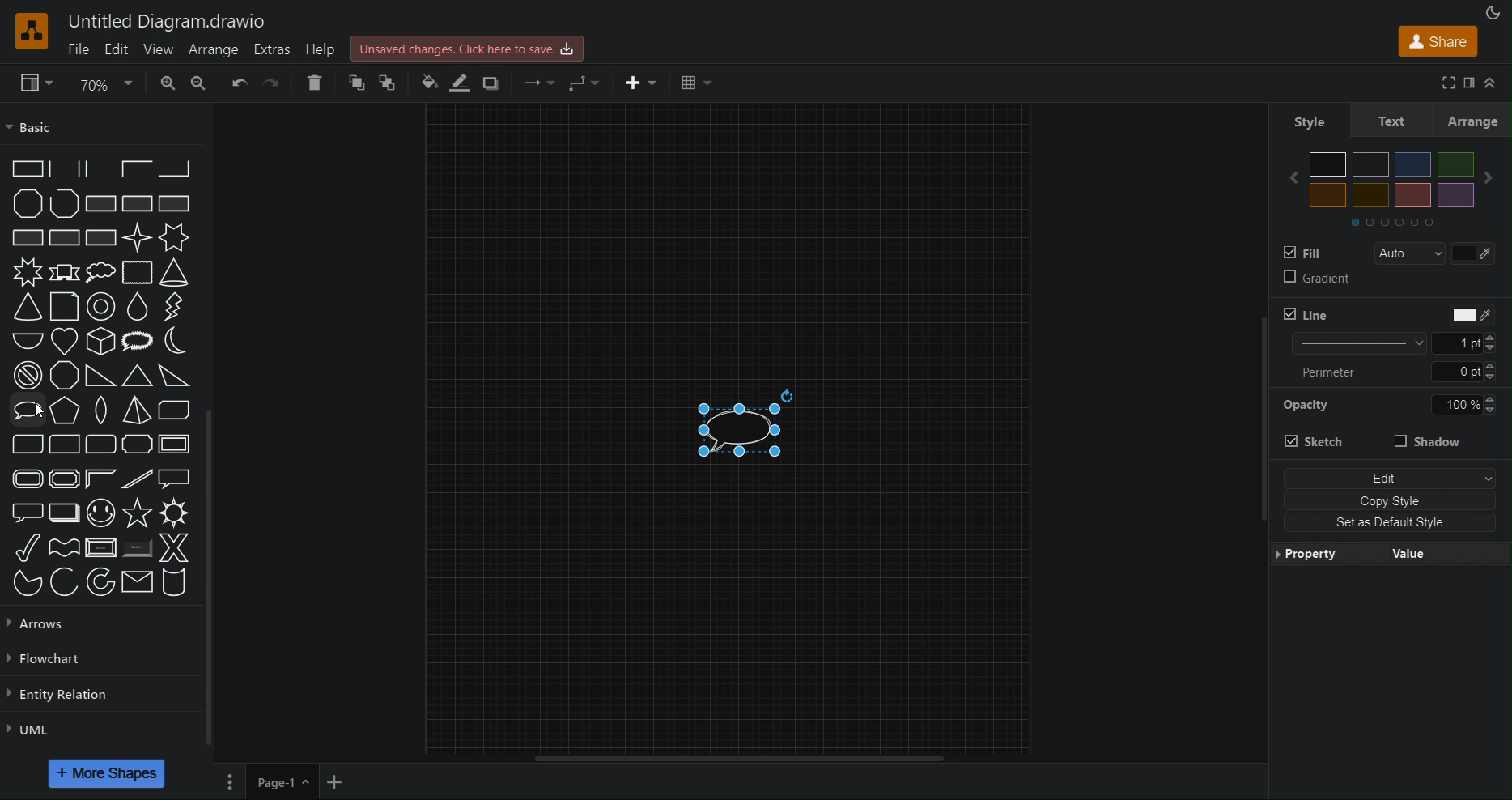 This screenshot has width=1512, height=800. I want to click on Cloud Callout, so click(100, 271).